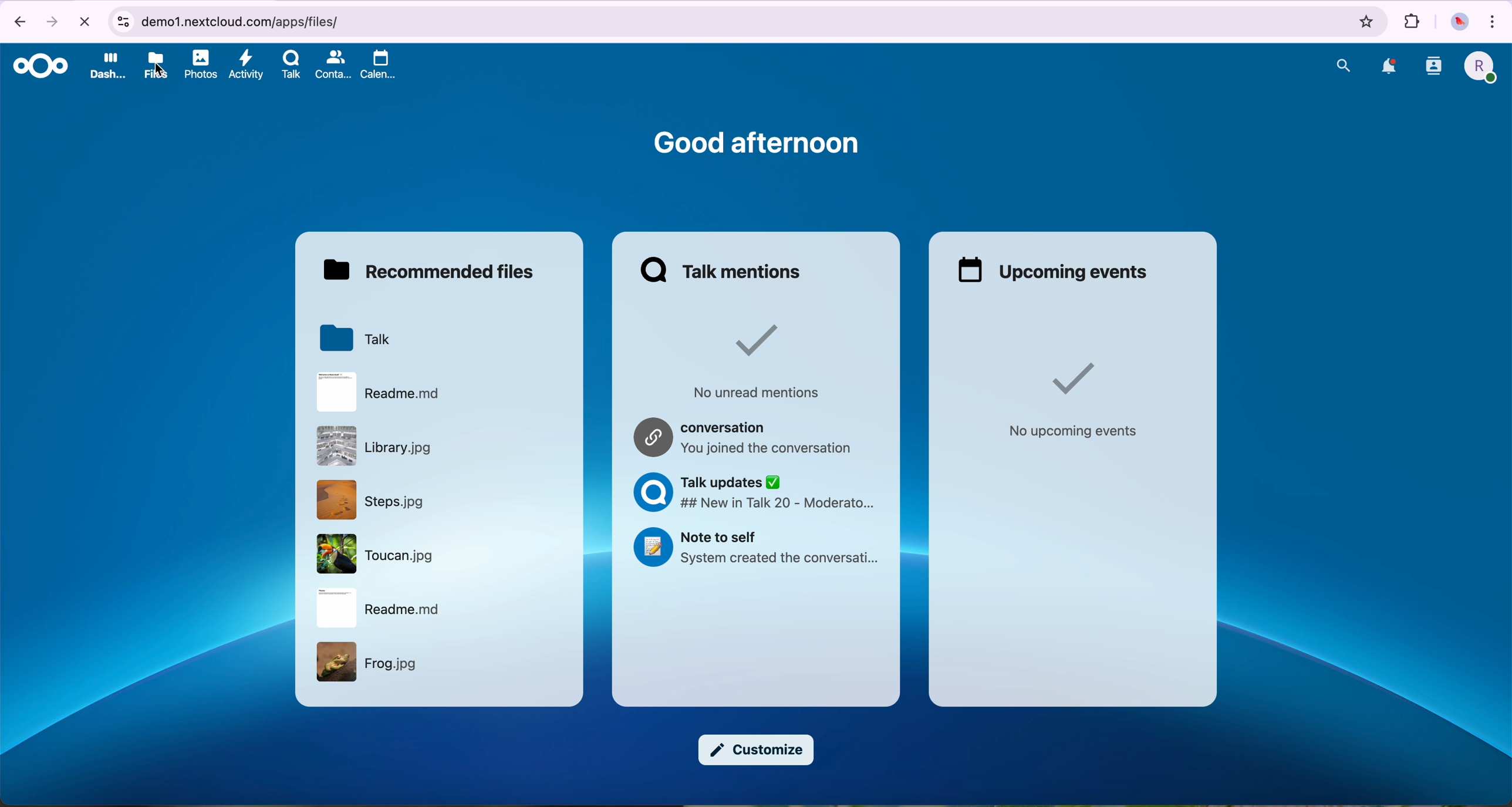 Image resolution: width=1512 pixels, height=807 pixels. I want to click on talk mentions, so click(723, 271).